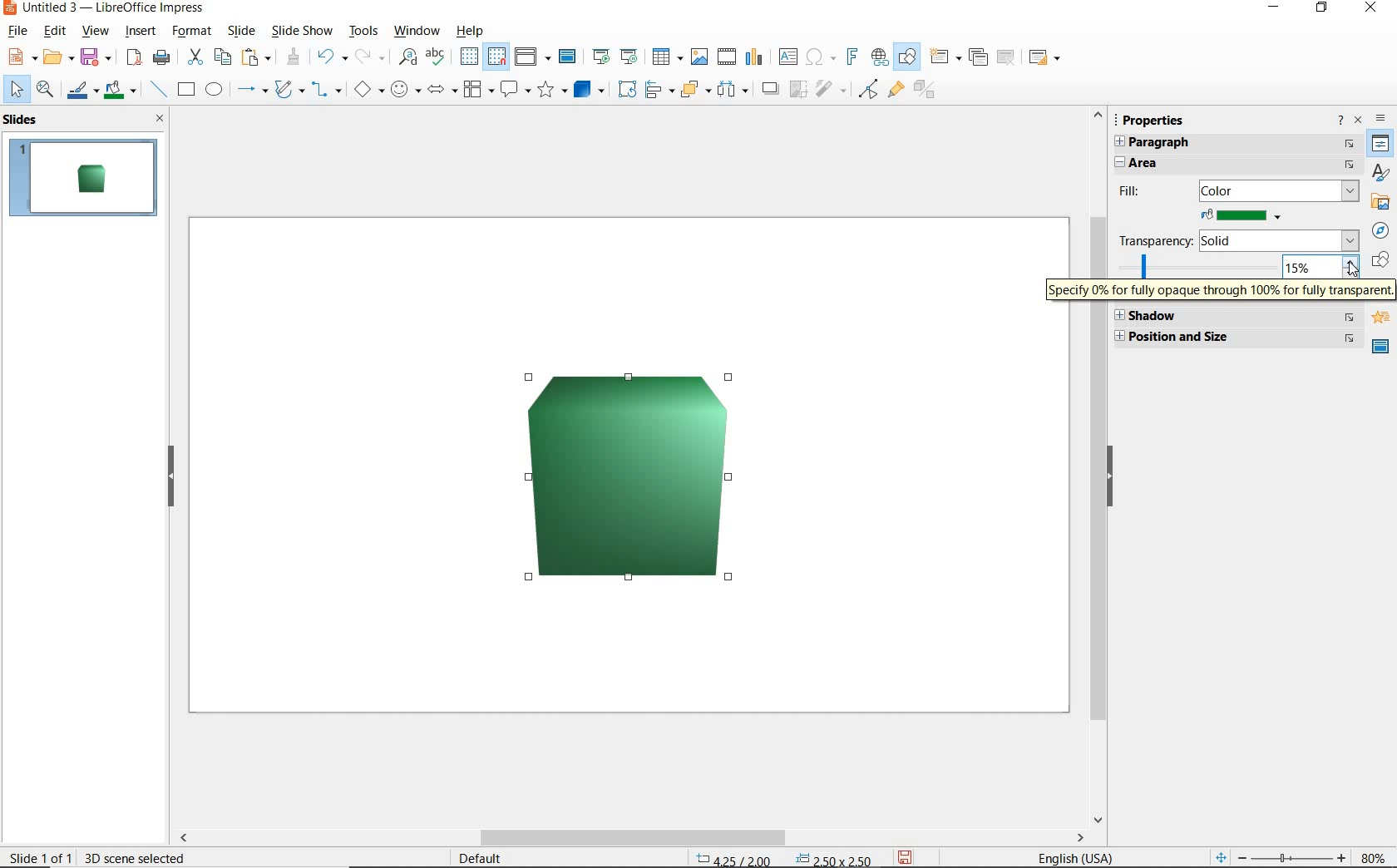 Image resolution: width=1397 pixels, height=868 pixels. Describe the element at coordinates (641, 474) in the screenshot. I see `BRIGHTNESS INCREASED BY 15%` at that location.